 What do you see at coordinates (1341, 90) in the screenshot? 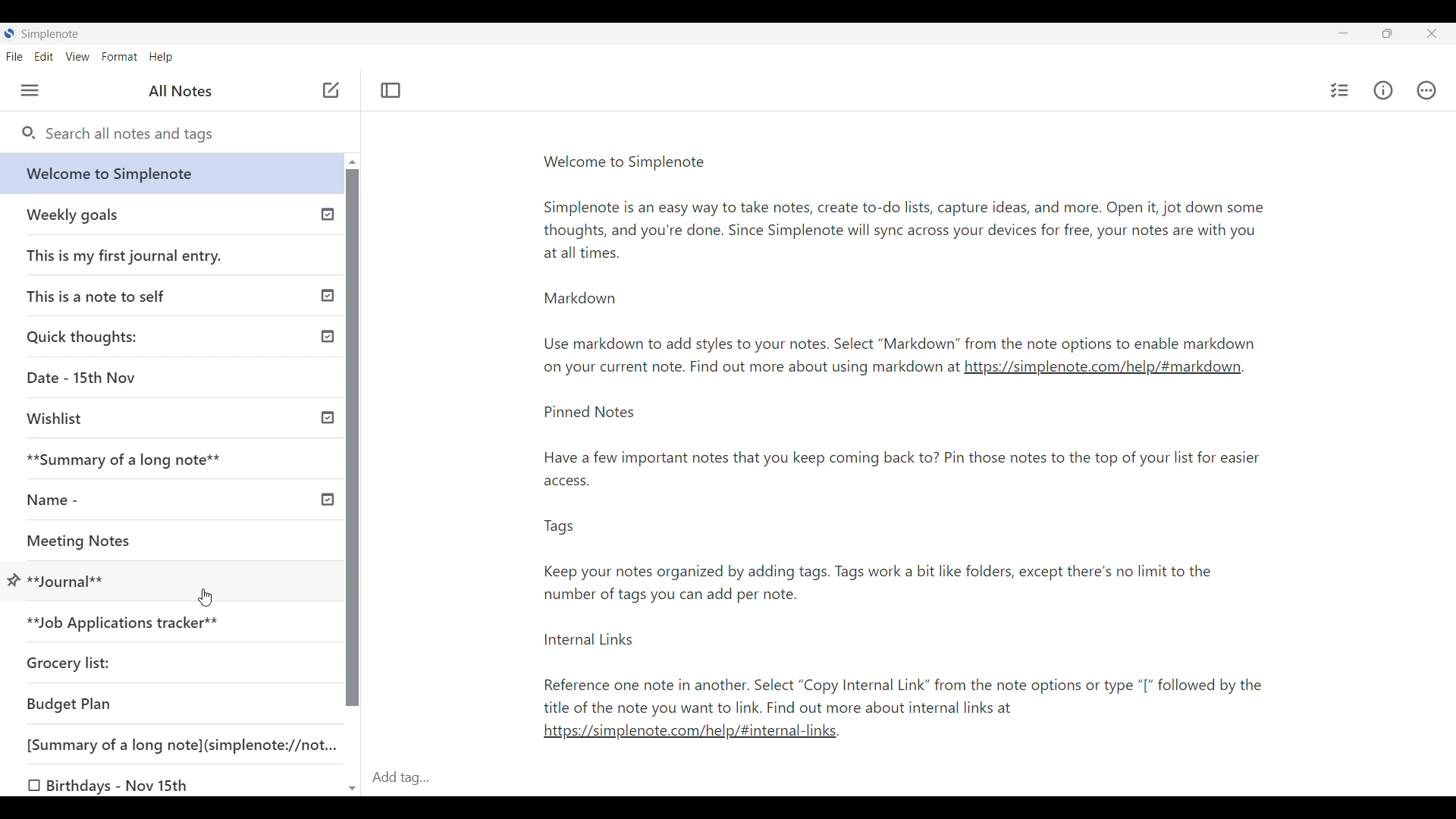
I see `Insert checklist` at bounding box center [1341, 90].